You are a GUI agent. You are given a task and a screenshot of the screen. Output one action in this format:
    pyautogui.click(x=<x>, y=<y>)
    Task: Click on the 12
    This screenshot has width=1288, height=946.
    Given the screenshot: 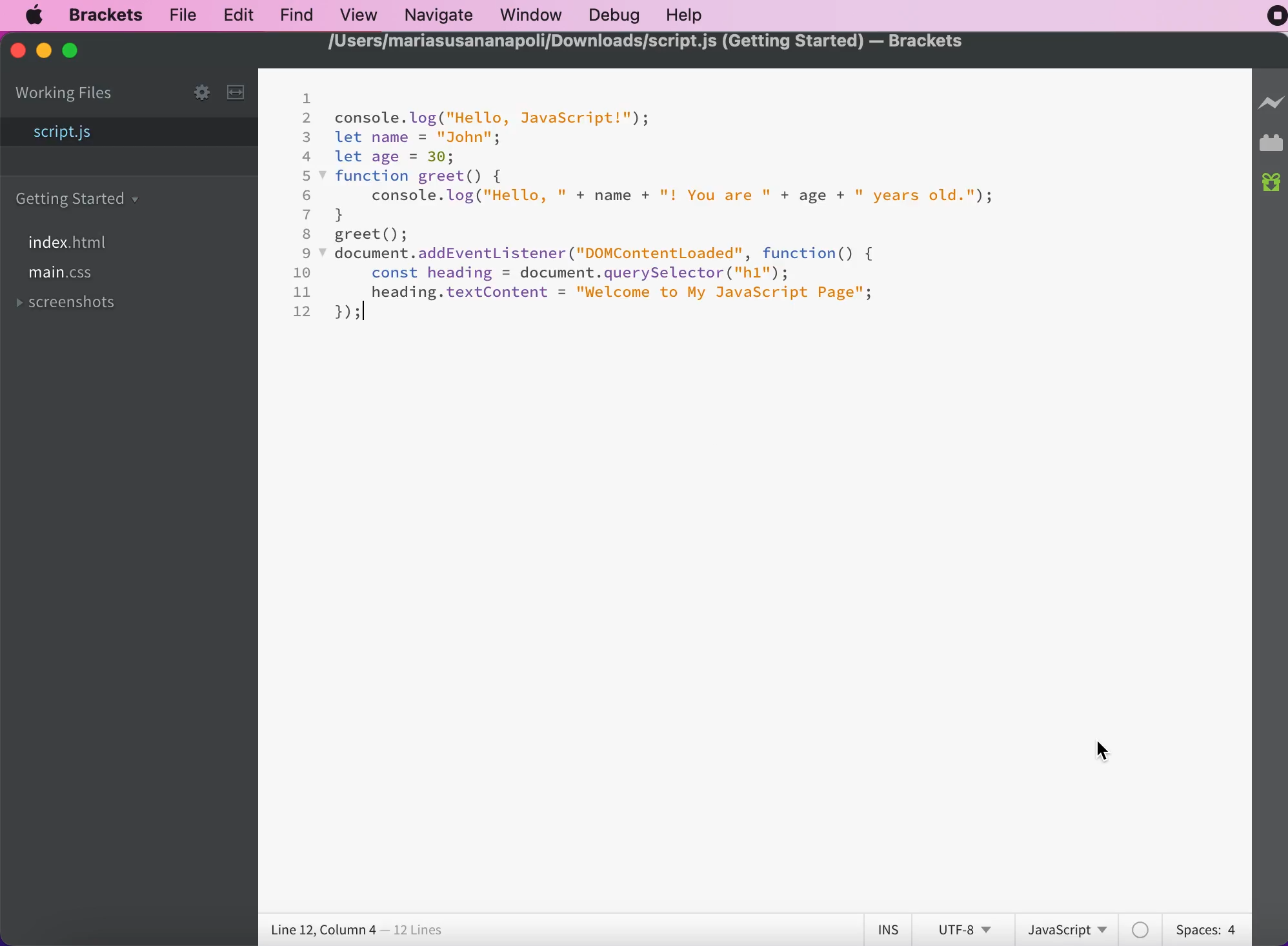 What is the action you would take?
    pyautogui.click(x=304, y=311)
    